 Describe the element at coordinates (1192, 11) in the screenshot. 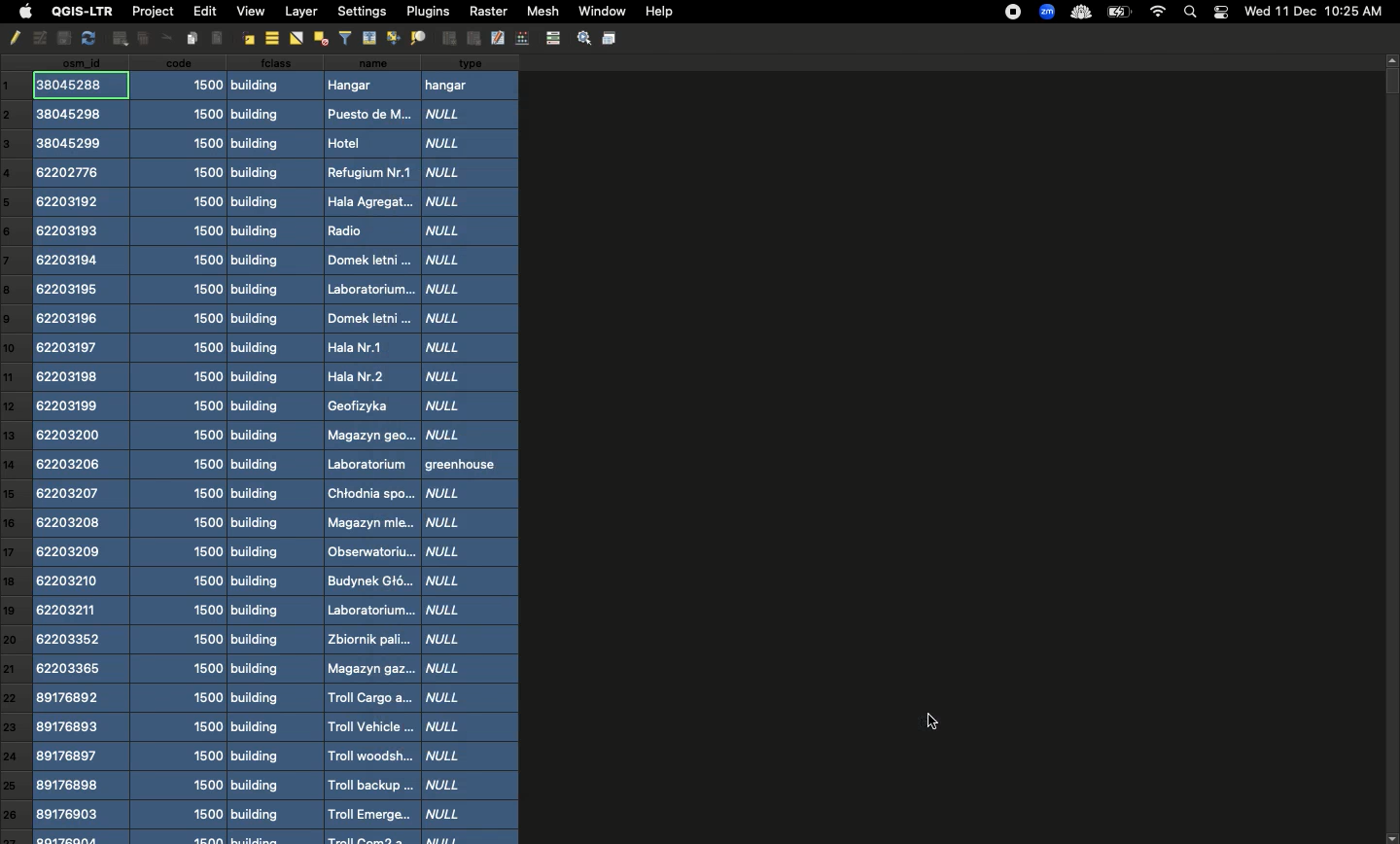

I see `Search` at that location.